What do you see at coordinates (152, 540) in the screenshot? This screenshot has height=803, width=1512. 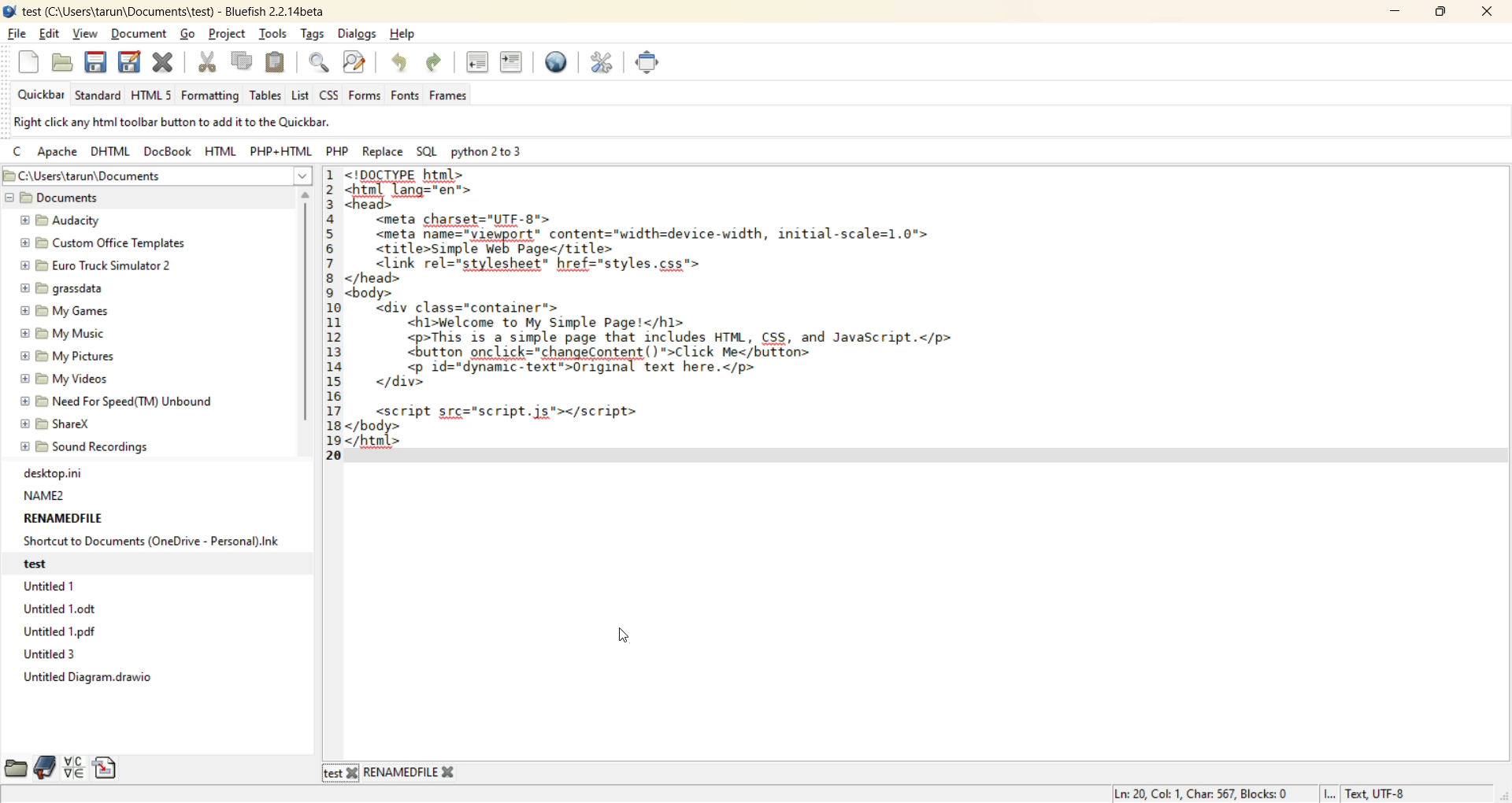 I see `Shortcut to Documents (OneDrive - Personal).Ink` at bounding box center [152, 540].